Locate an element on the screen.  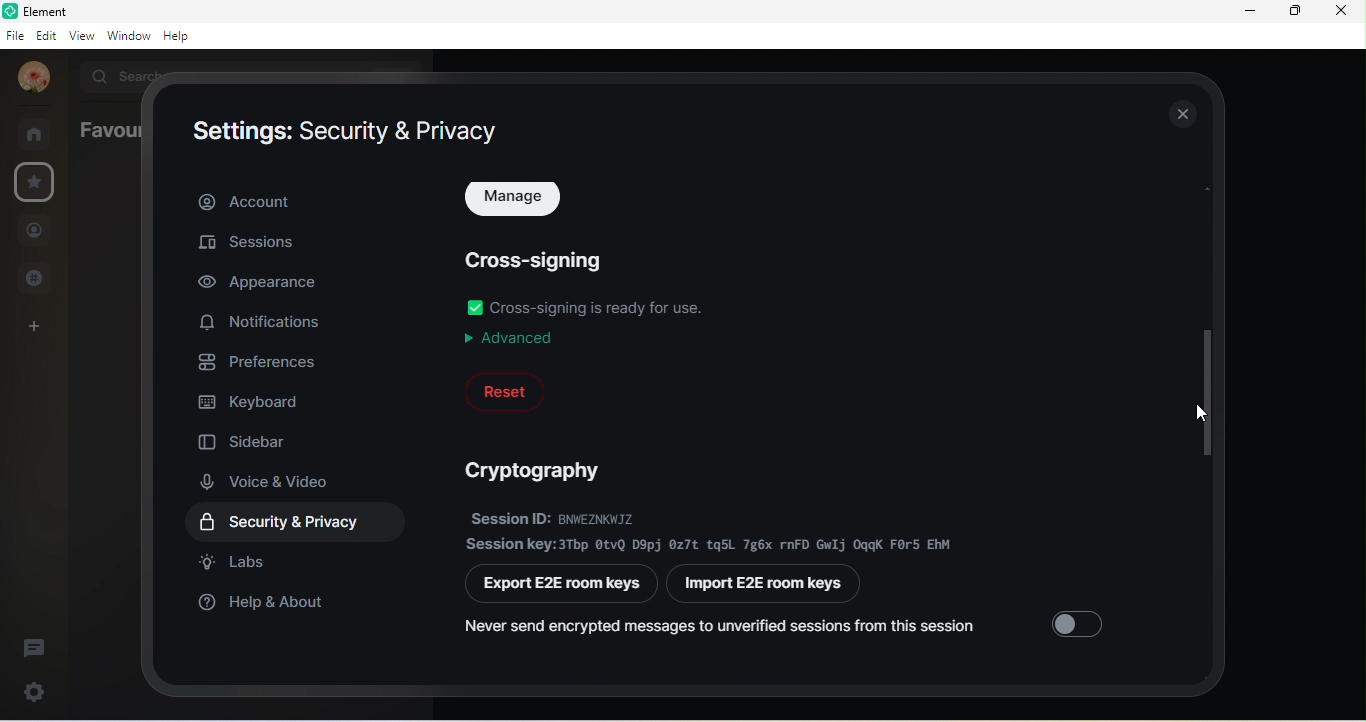
keyboard is located at coordinates (255, 399).